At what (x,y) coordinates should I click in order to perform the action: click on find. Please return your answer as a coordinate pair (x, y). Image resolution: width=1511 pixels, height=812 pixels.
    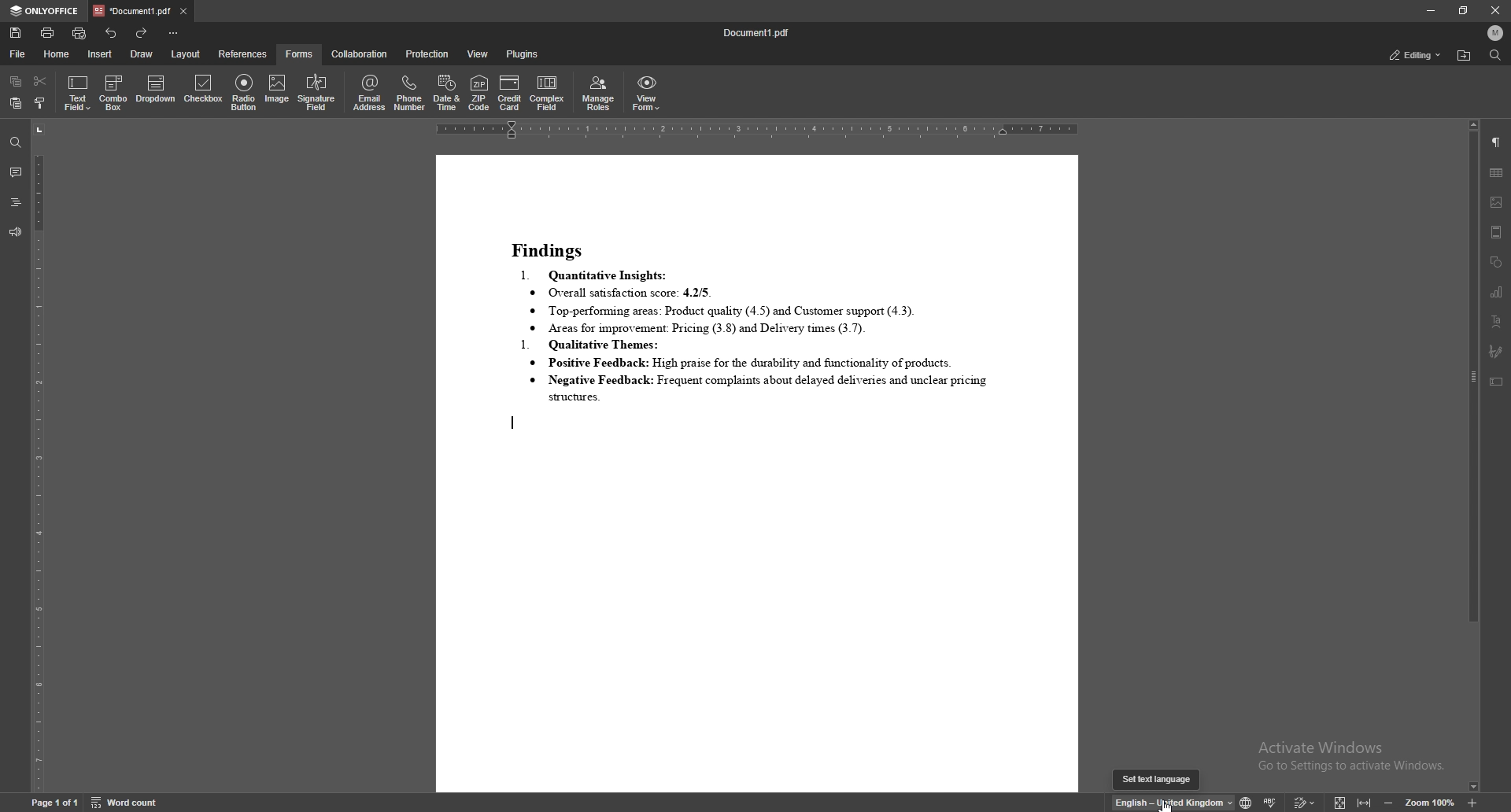
    Looking at the image, I should click on (1496, 54).